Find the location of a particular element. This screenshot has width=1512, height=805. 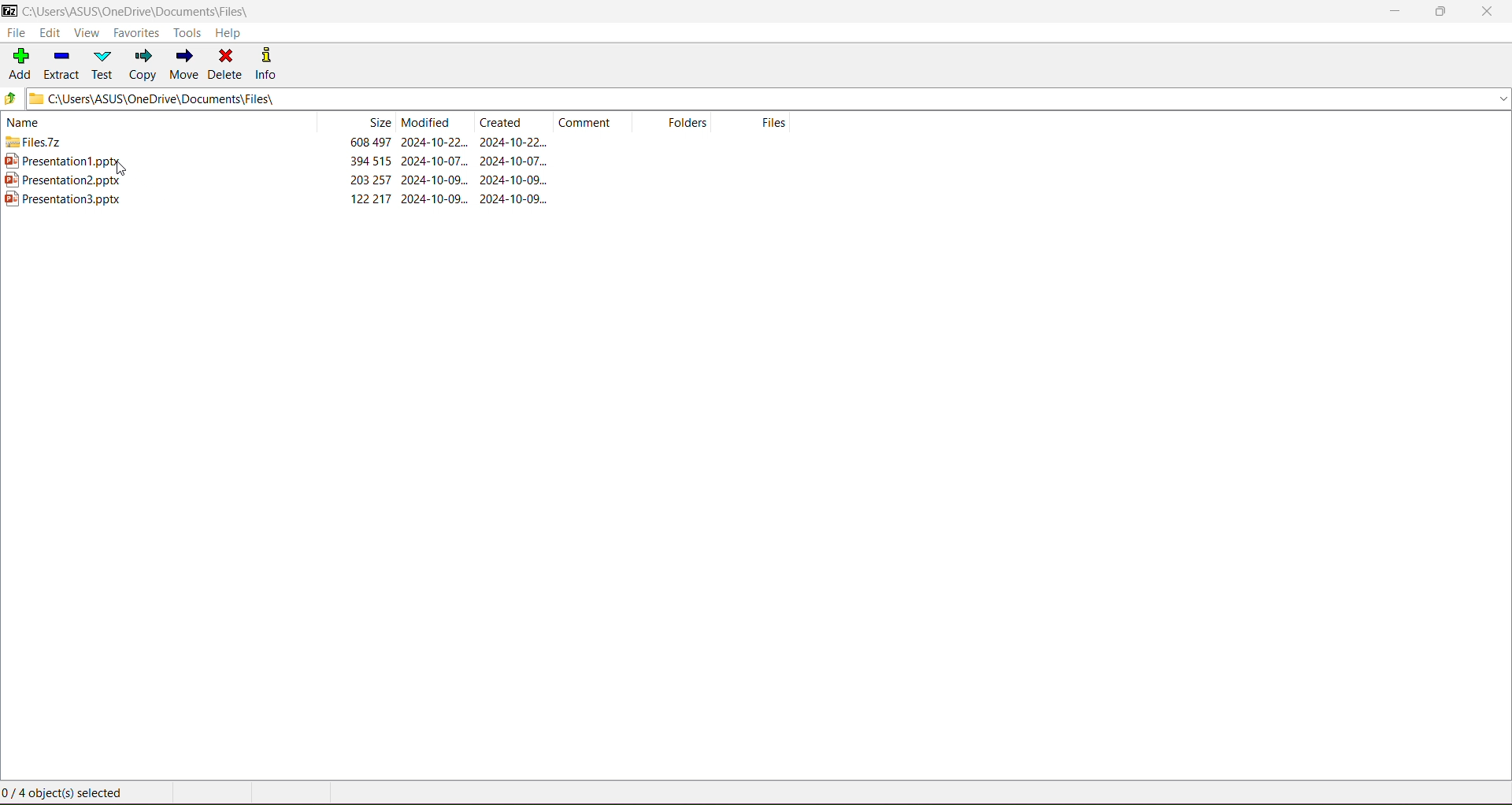

modified is located at coordinates (427, 122).